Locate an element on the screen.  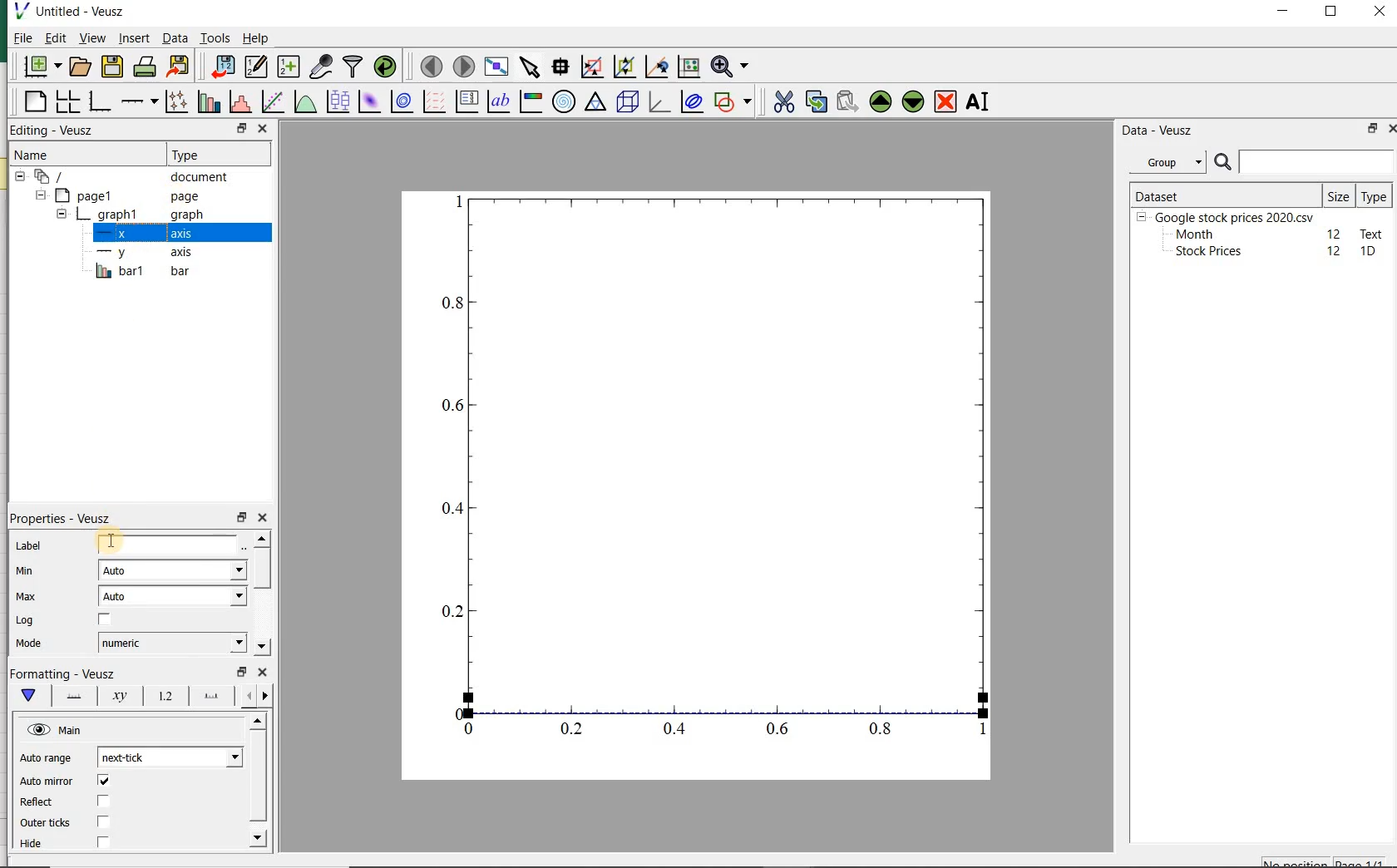
cut the selected widget is located at coordinates (785, 104).